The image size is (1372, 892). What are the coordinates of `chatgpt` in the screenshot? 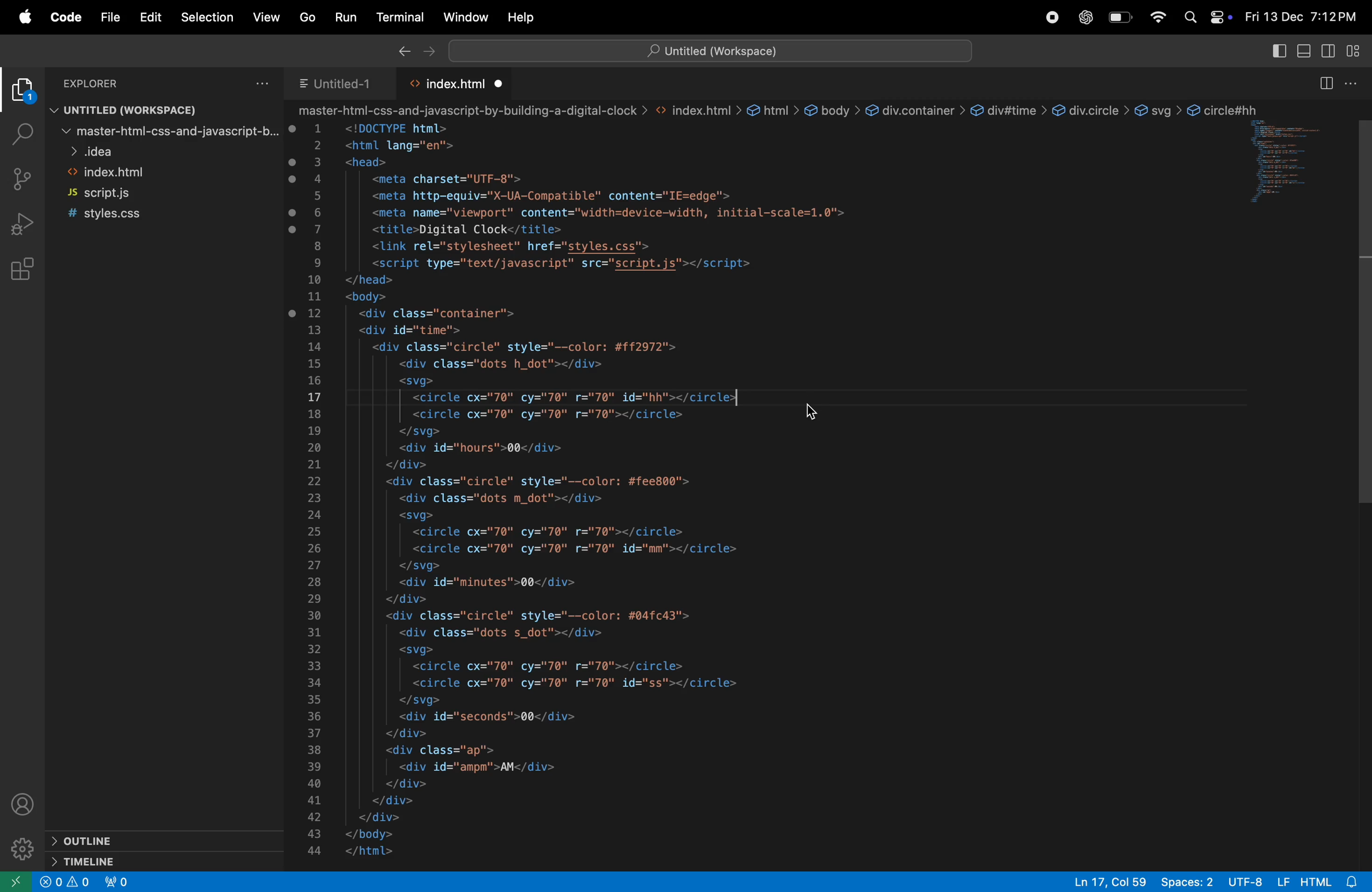 It's located at (1087, 17).